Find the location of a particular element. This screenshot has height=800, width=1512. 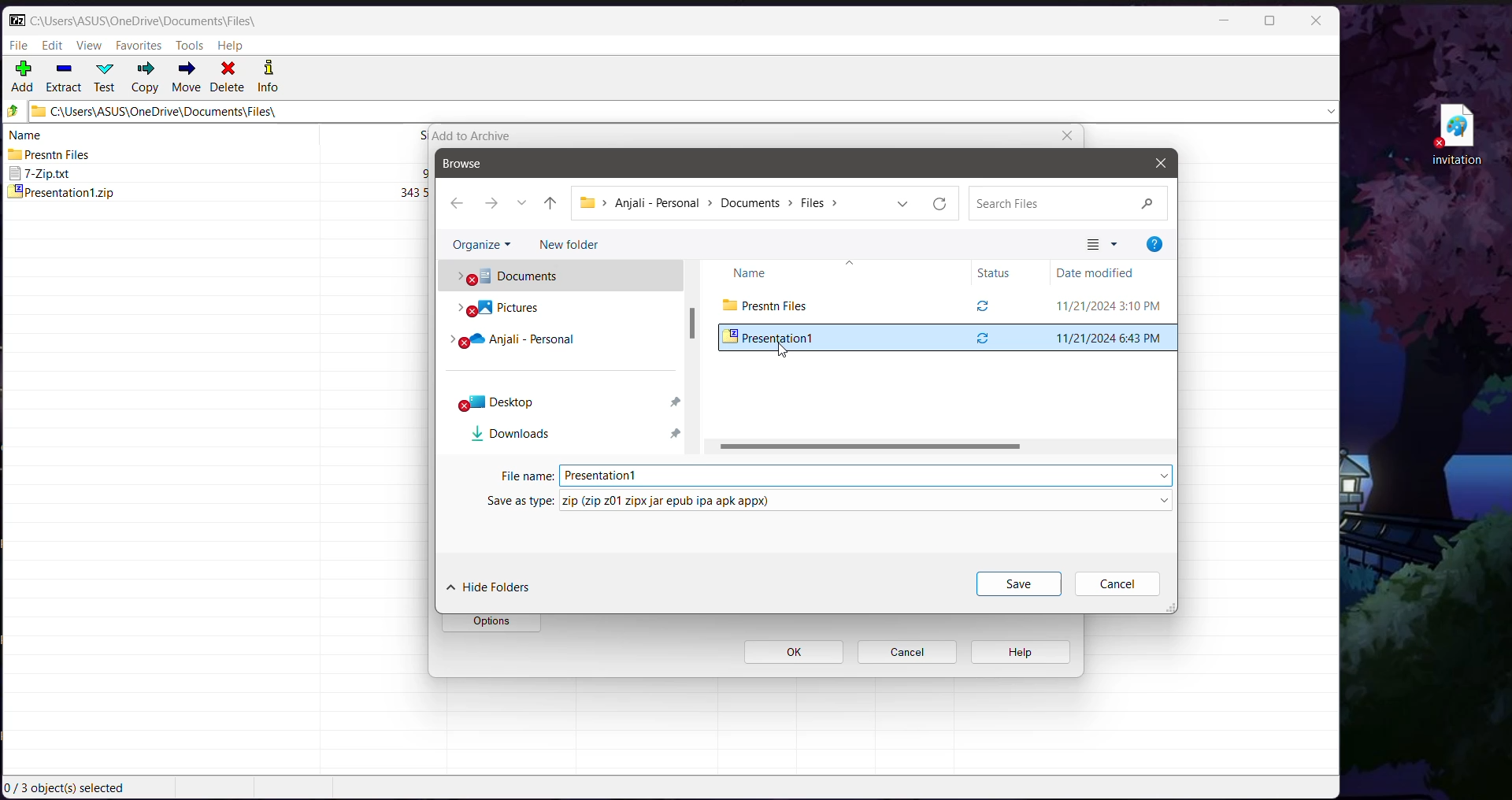

Current path is located at coordinates (721, 202).